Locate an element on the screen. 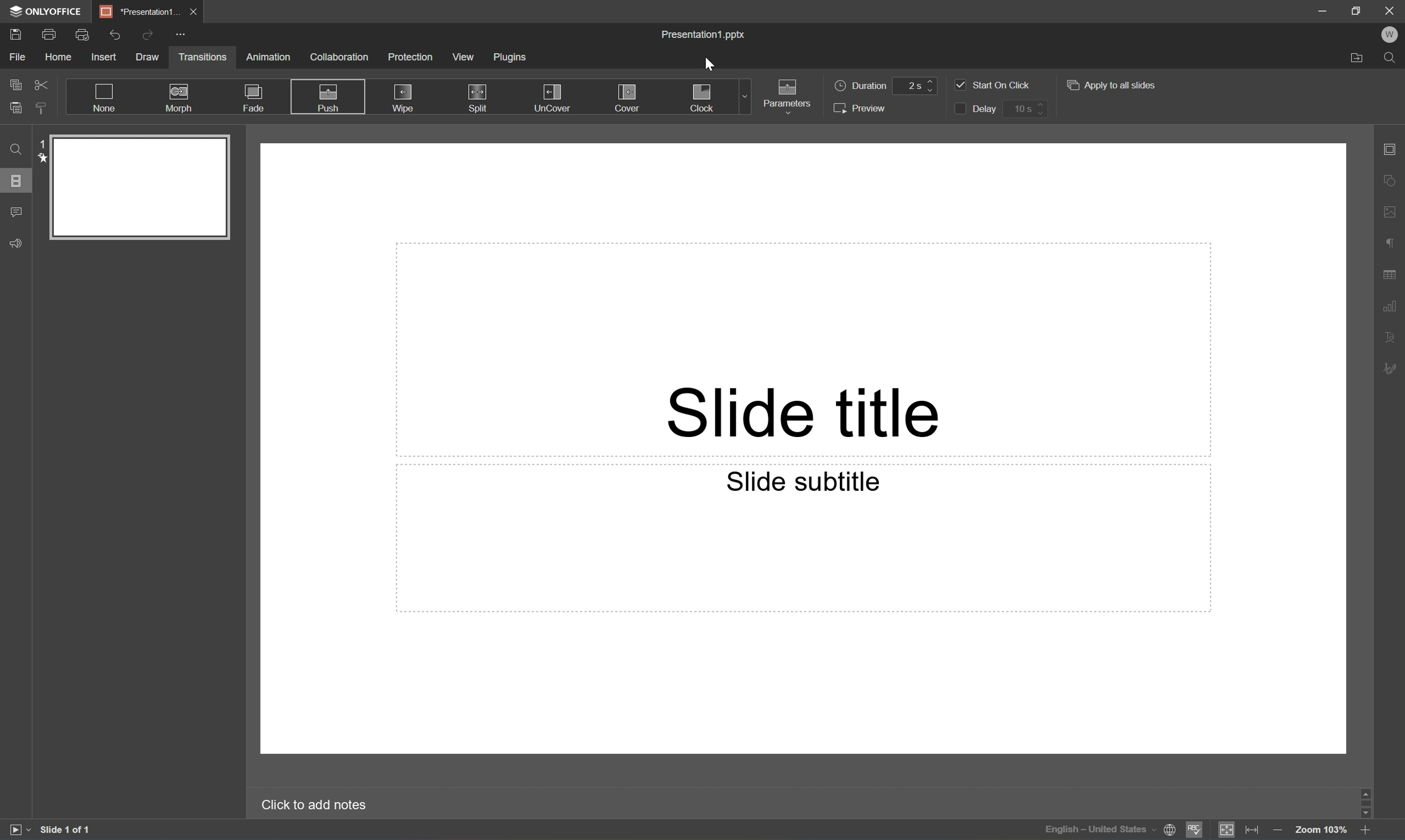 Image resolution: width=1405 pixels, height=840 pixels. 2 s is located at coordinates (917, 85).